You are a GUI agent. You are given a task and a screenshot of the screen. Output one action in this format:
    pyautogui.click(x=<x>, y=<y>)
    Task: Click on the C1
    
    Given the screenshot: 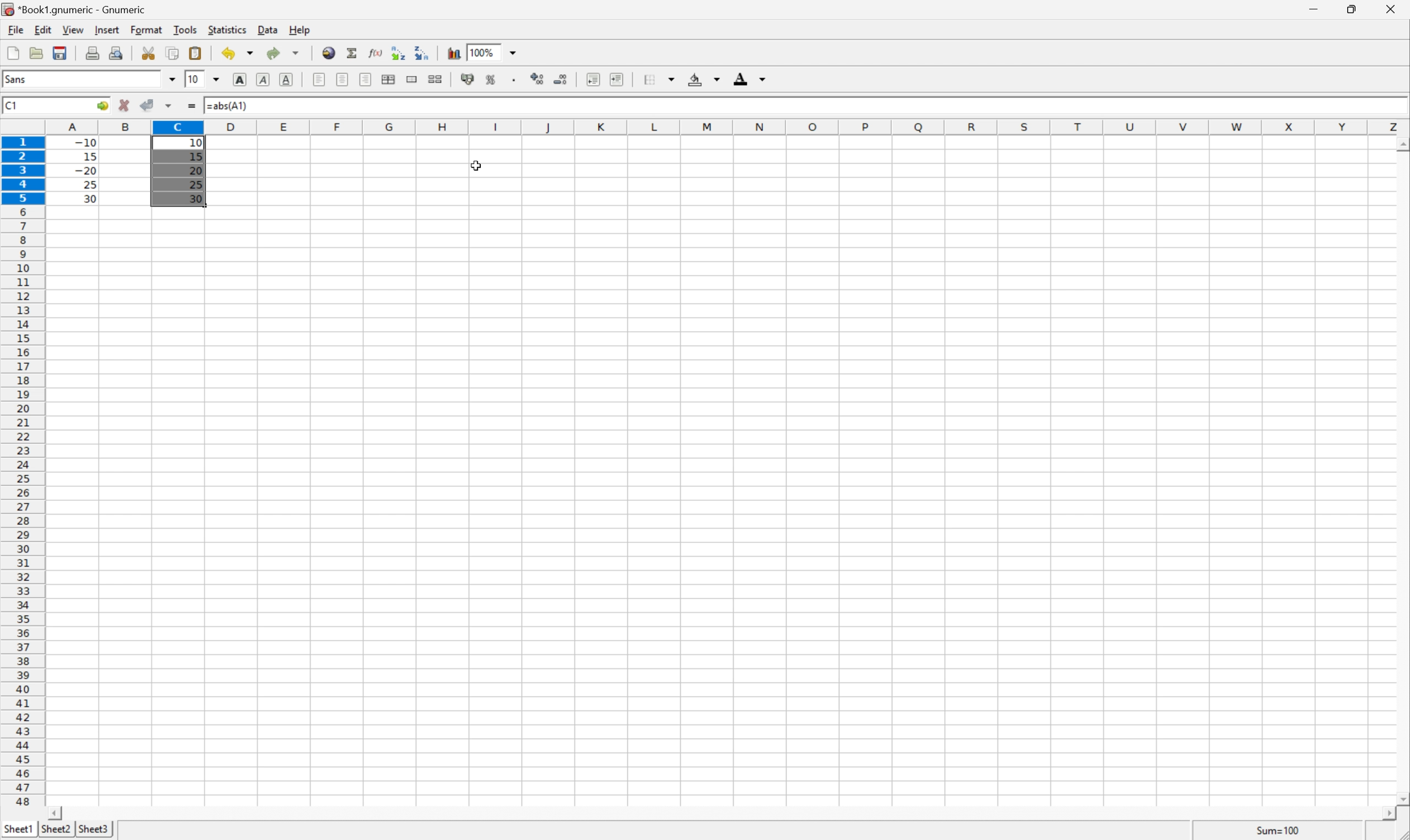 What is the action you would take?
    pyautogui.click(x=12, y=104)
    